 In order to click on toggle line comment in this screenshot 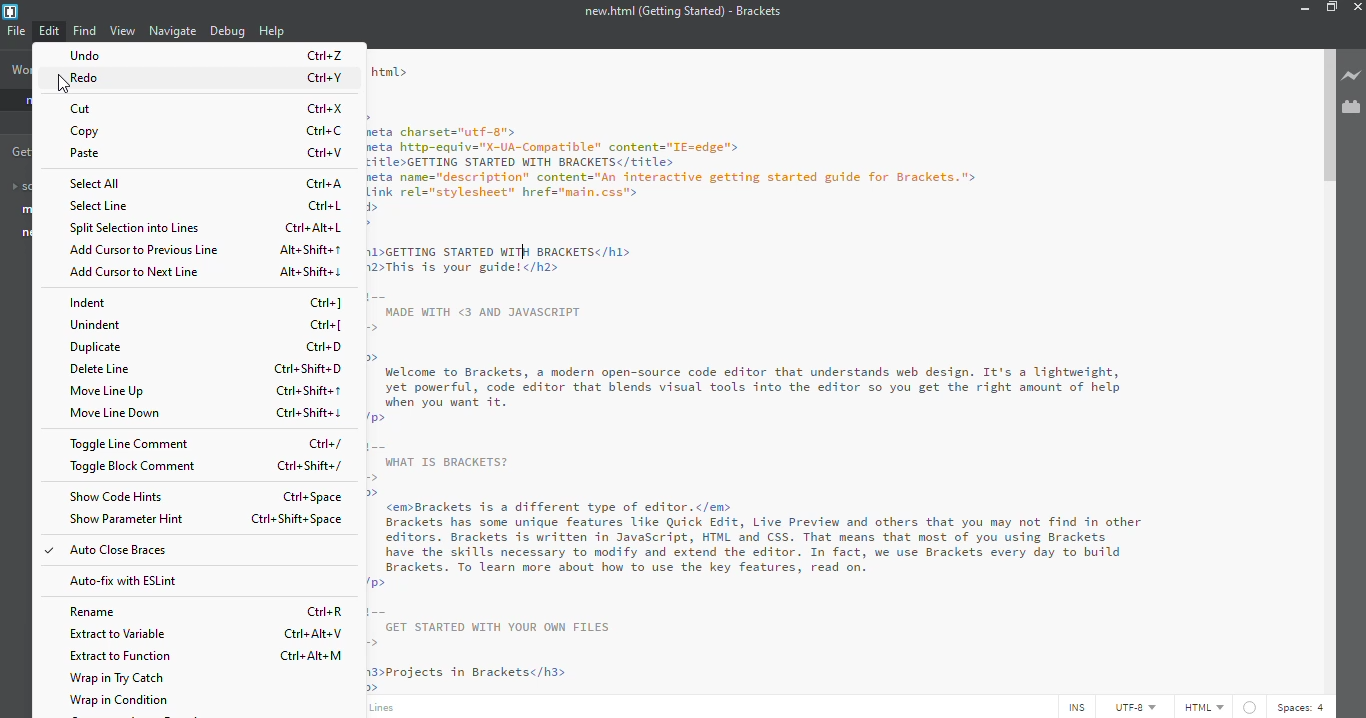, I will do `click(133, 444)`.